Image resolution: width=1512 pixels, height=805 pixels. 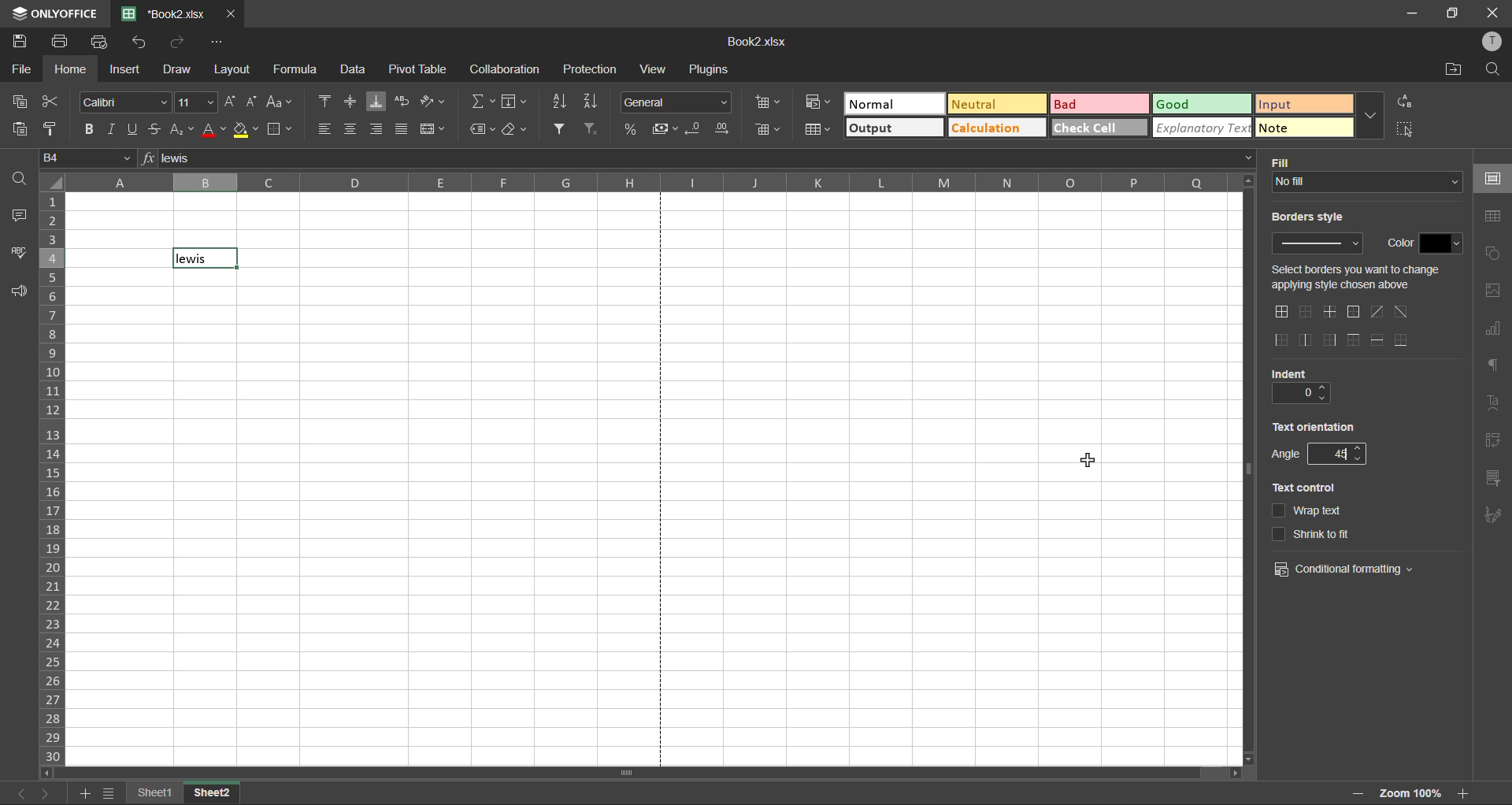 I want to click on previous, so click(x=22, y=793).